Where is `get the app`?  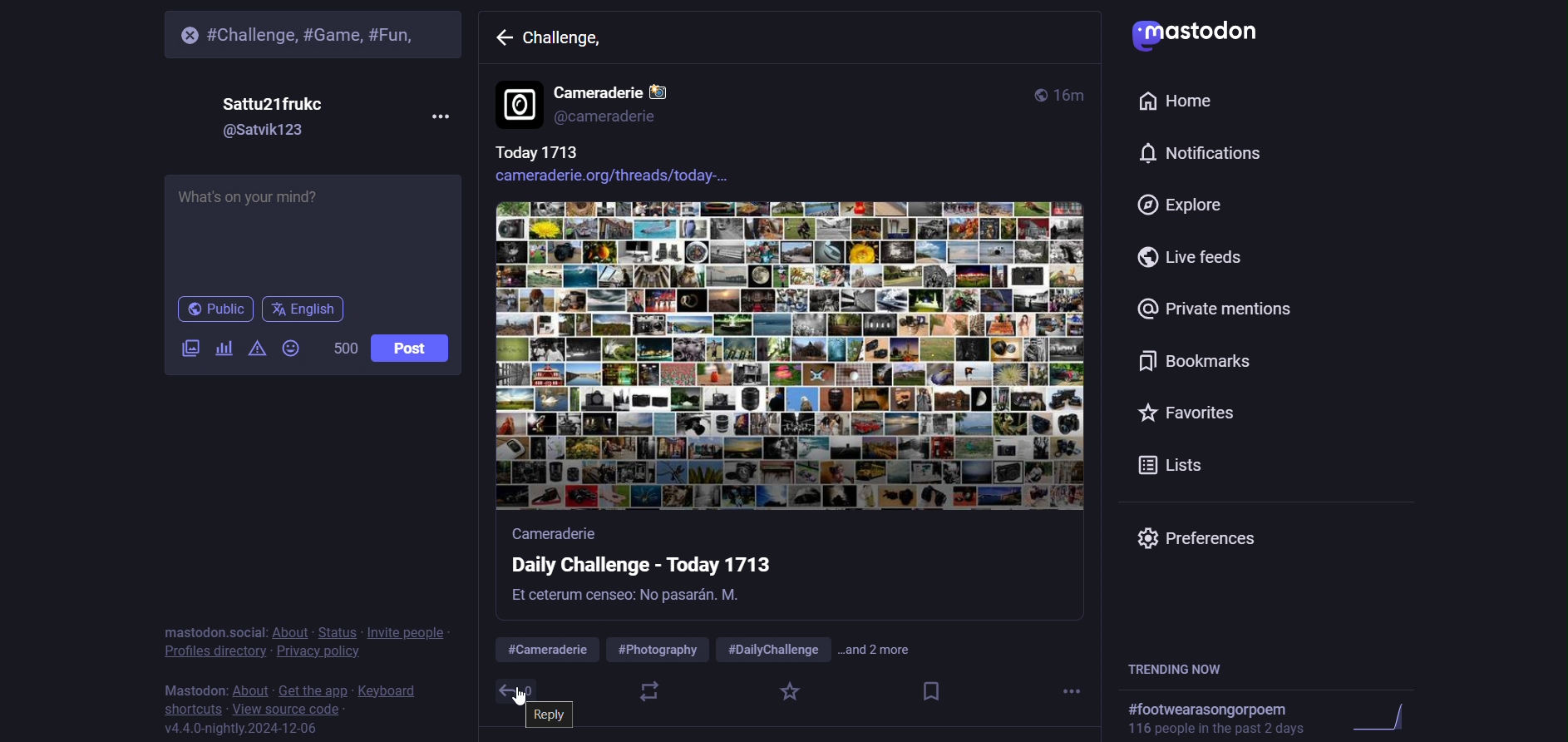 get the app is located at coordinates (313, 688).